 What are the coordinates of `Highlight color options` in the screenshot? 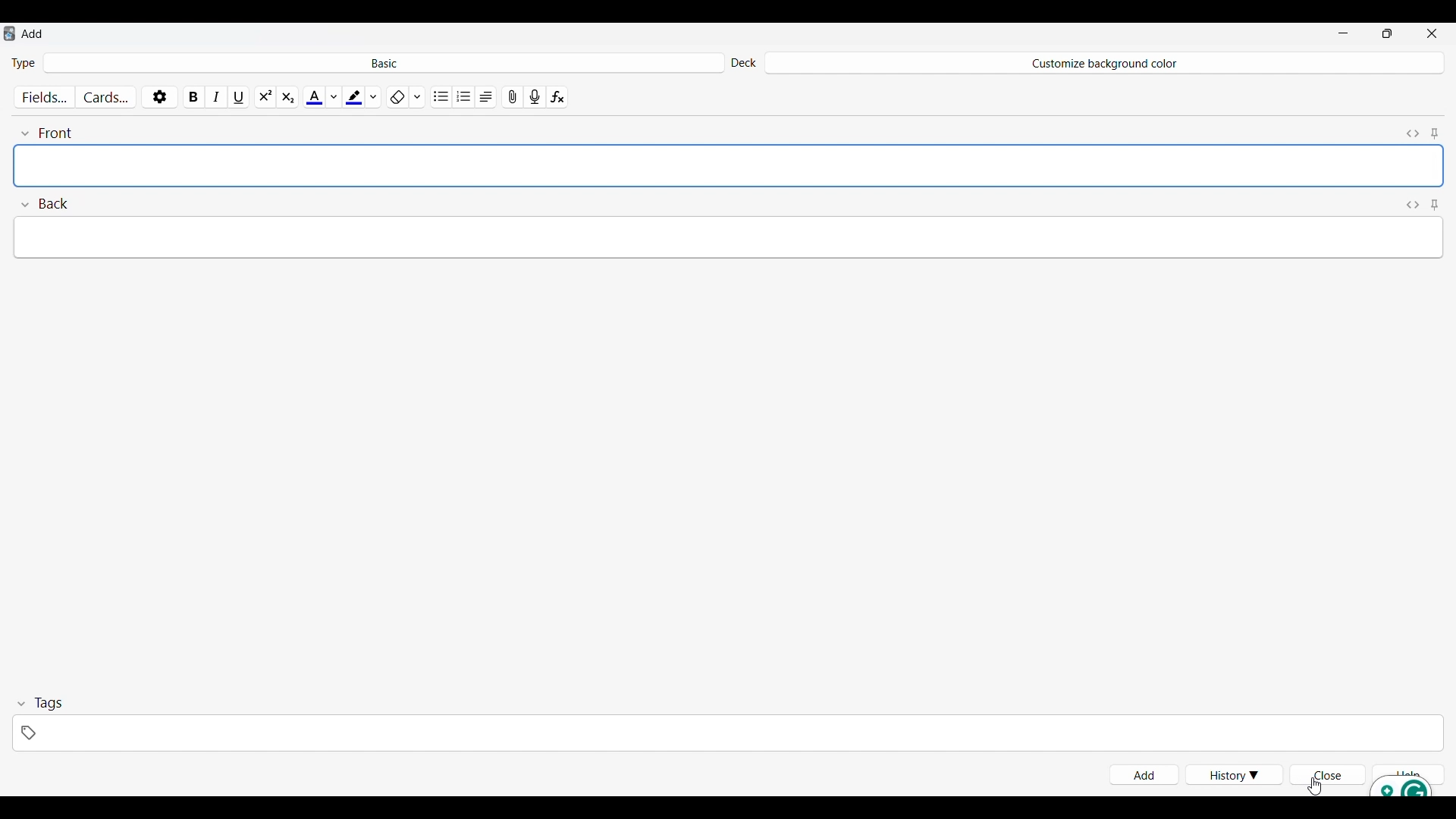 It's located at (374, 94).